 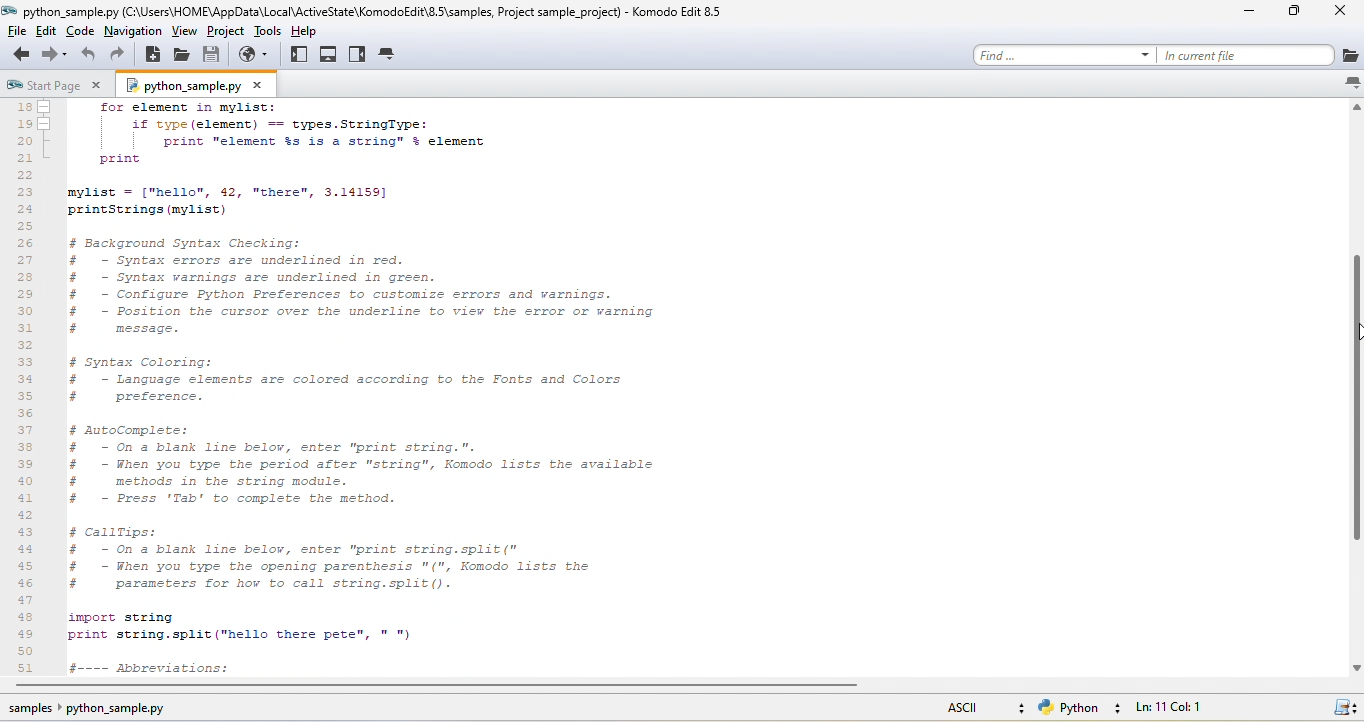 I want to click on title, so click(x=679, y=11).